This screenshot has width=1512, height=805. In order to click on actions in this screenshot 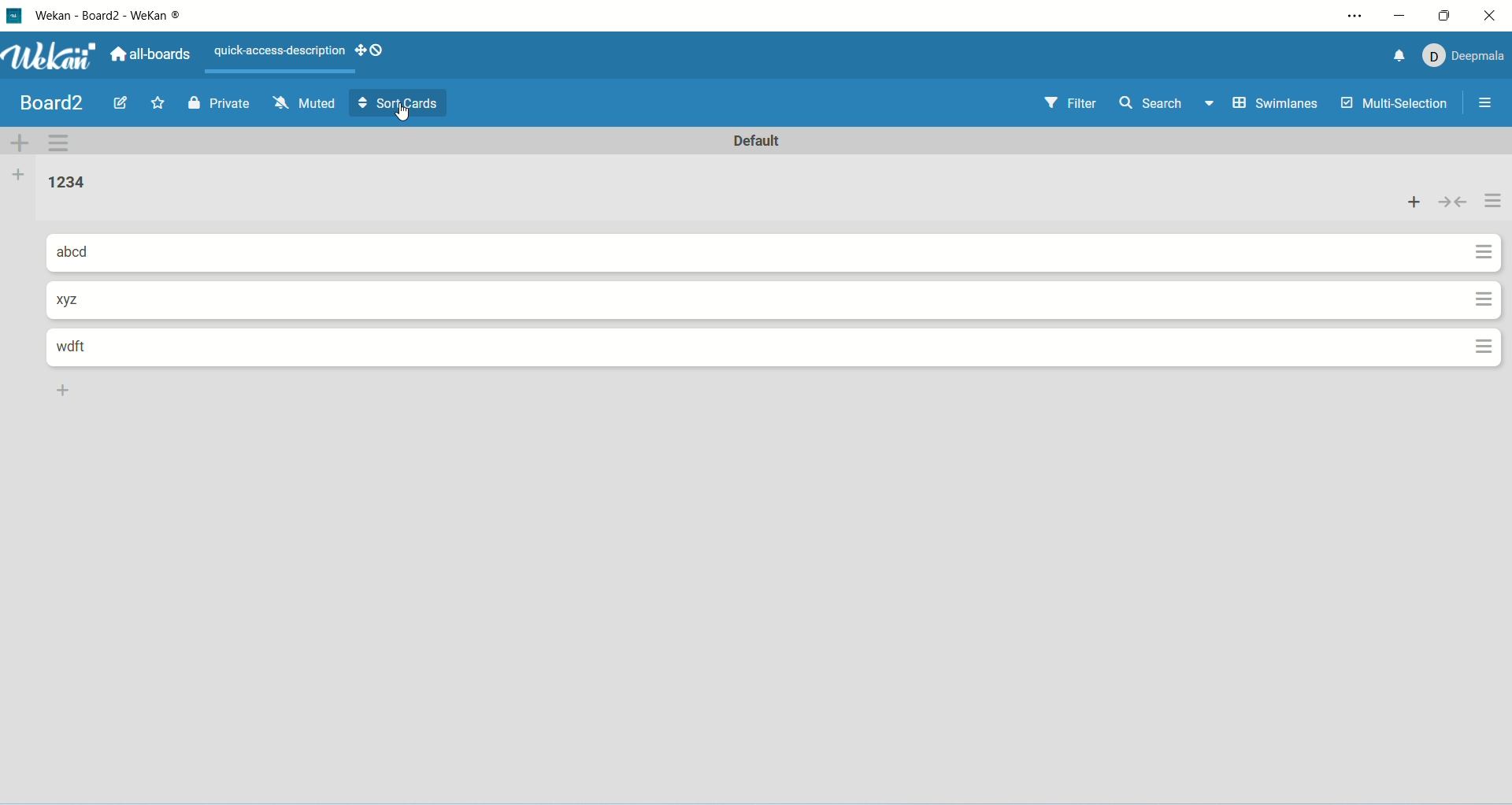, I will do `click(1489, 272)`.